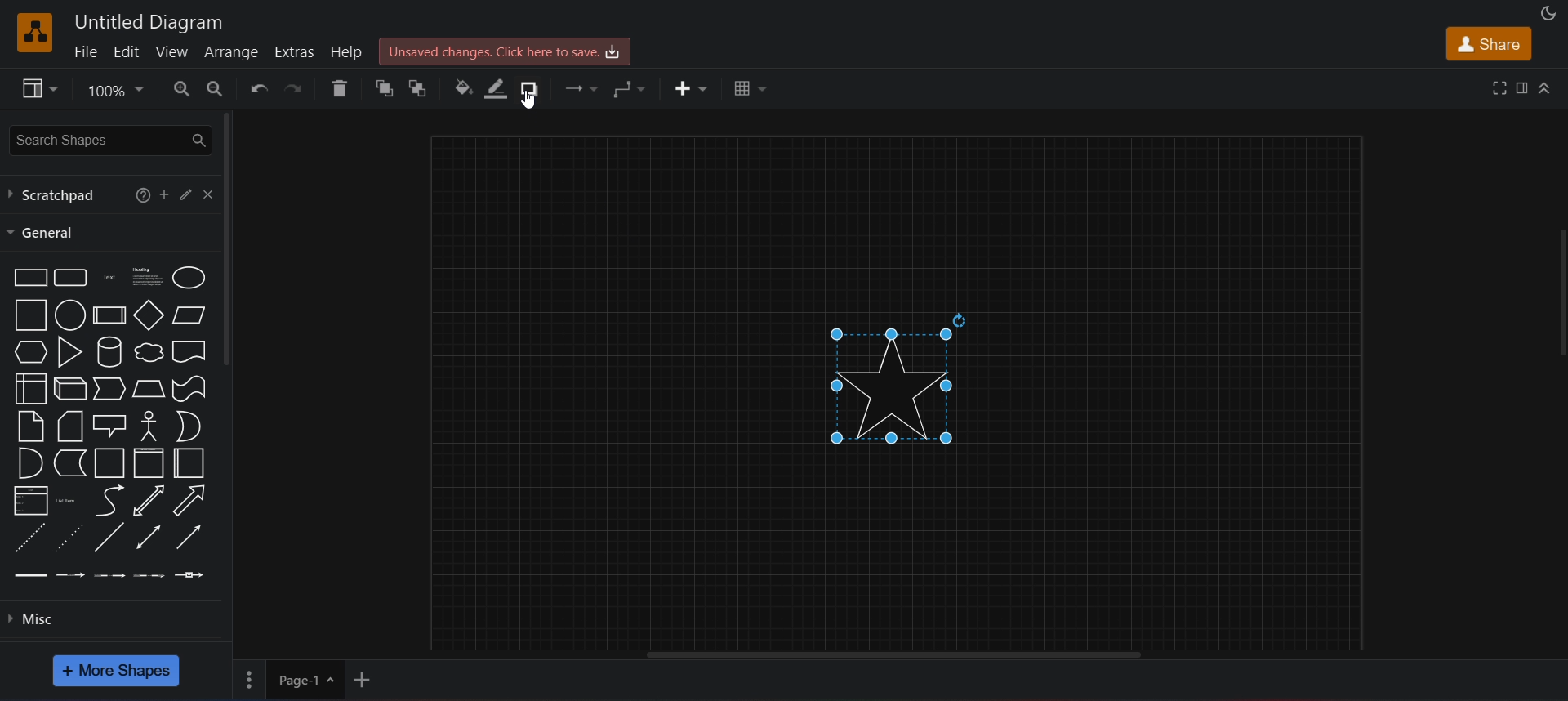 The width and height of the screenshot is (1568, 701). Describe the element at coordinates (502, 52) in the screenshot. I see `click here to save` at that location.